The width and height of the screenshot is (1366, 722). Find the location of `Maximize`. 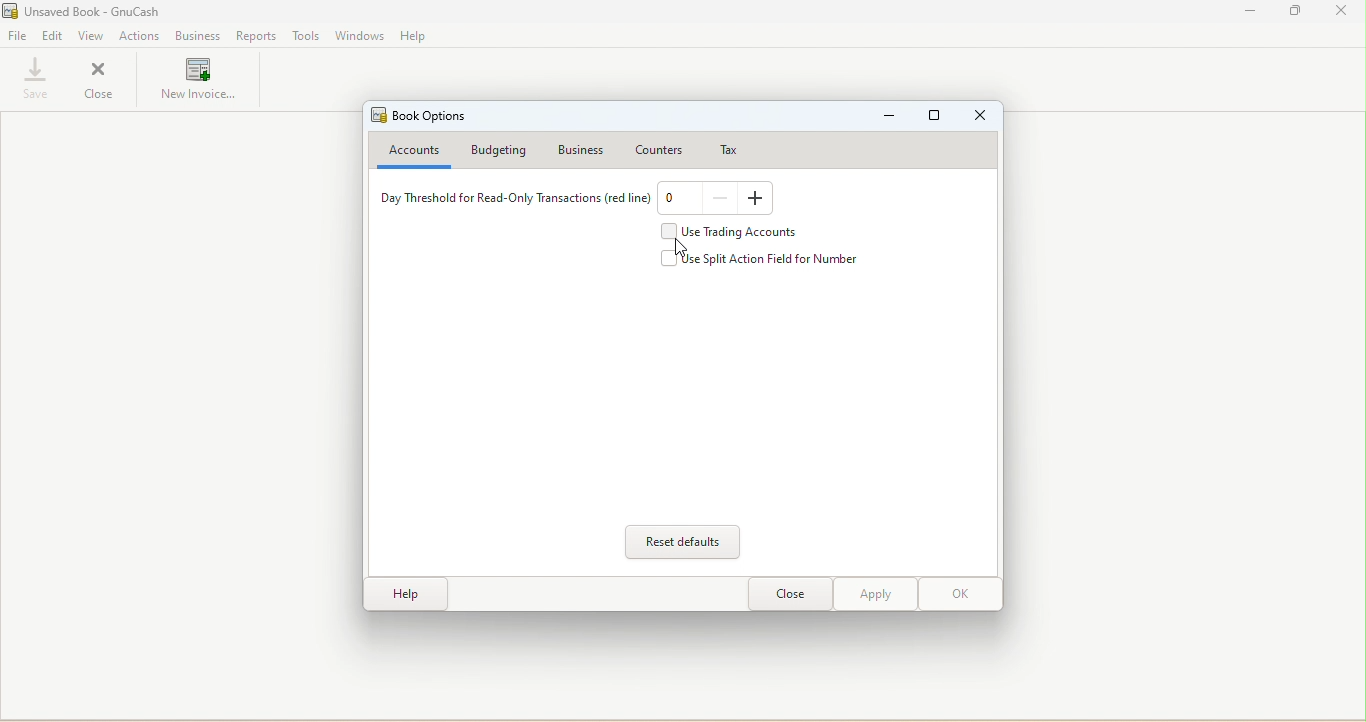

Maximize is located at coordinates (935, 118).